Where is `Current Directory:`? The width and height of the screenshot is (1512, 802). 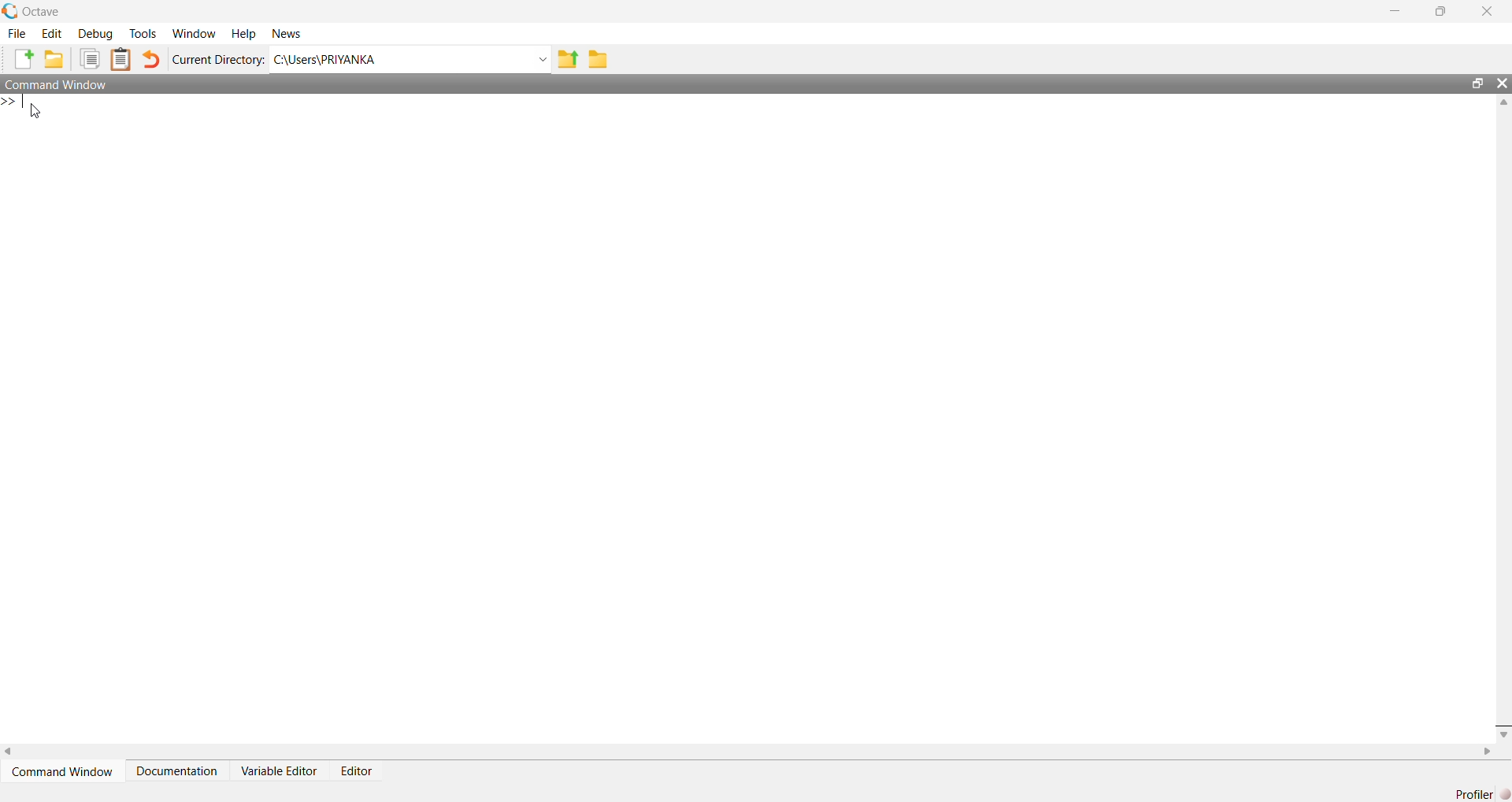
Current Directory: is located at coordinates (220, 61).